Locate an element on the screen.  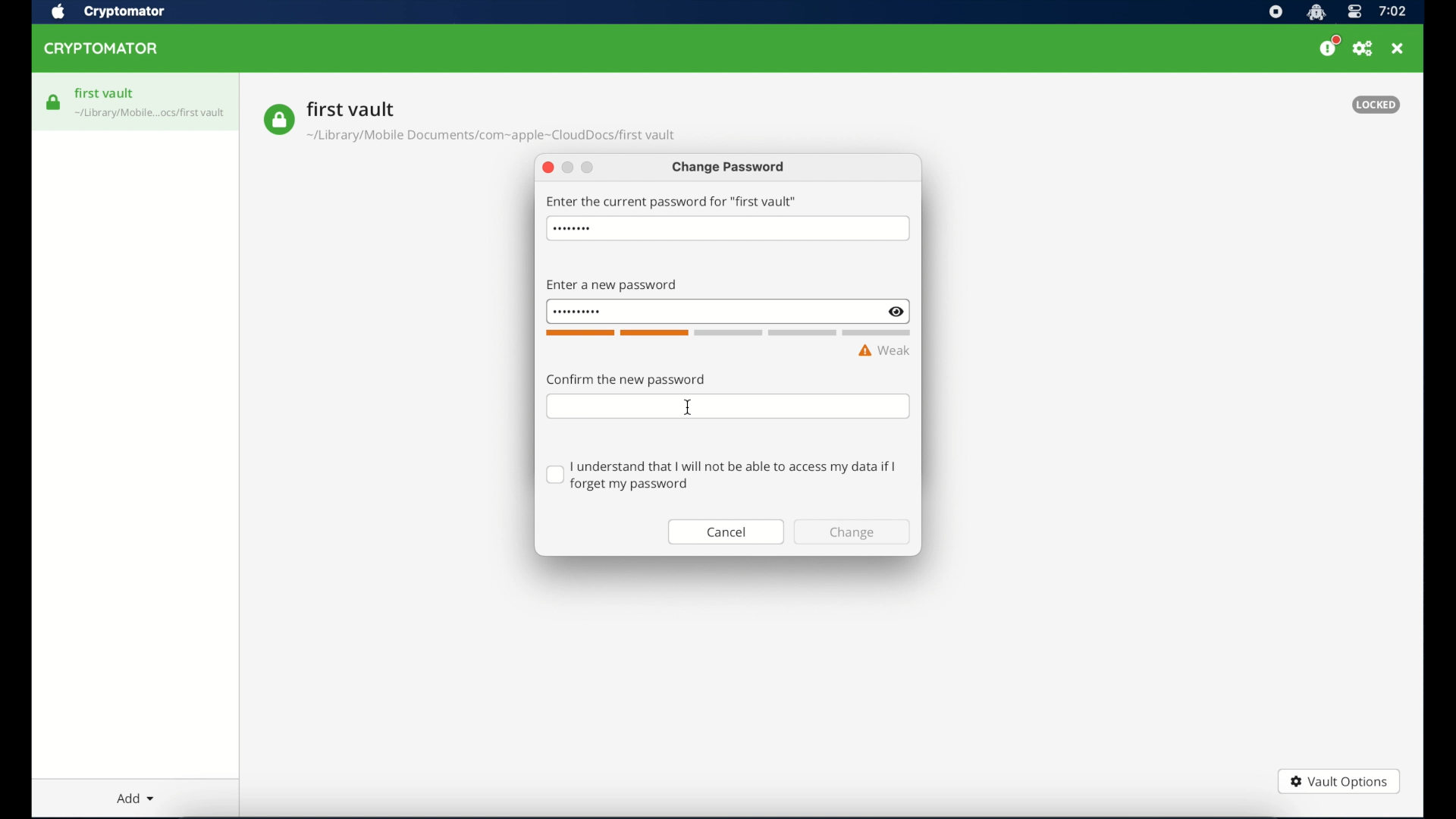
screen recorder icon is located at coordinates (1276, 13).